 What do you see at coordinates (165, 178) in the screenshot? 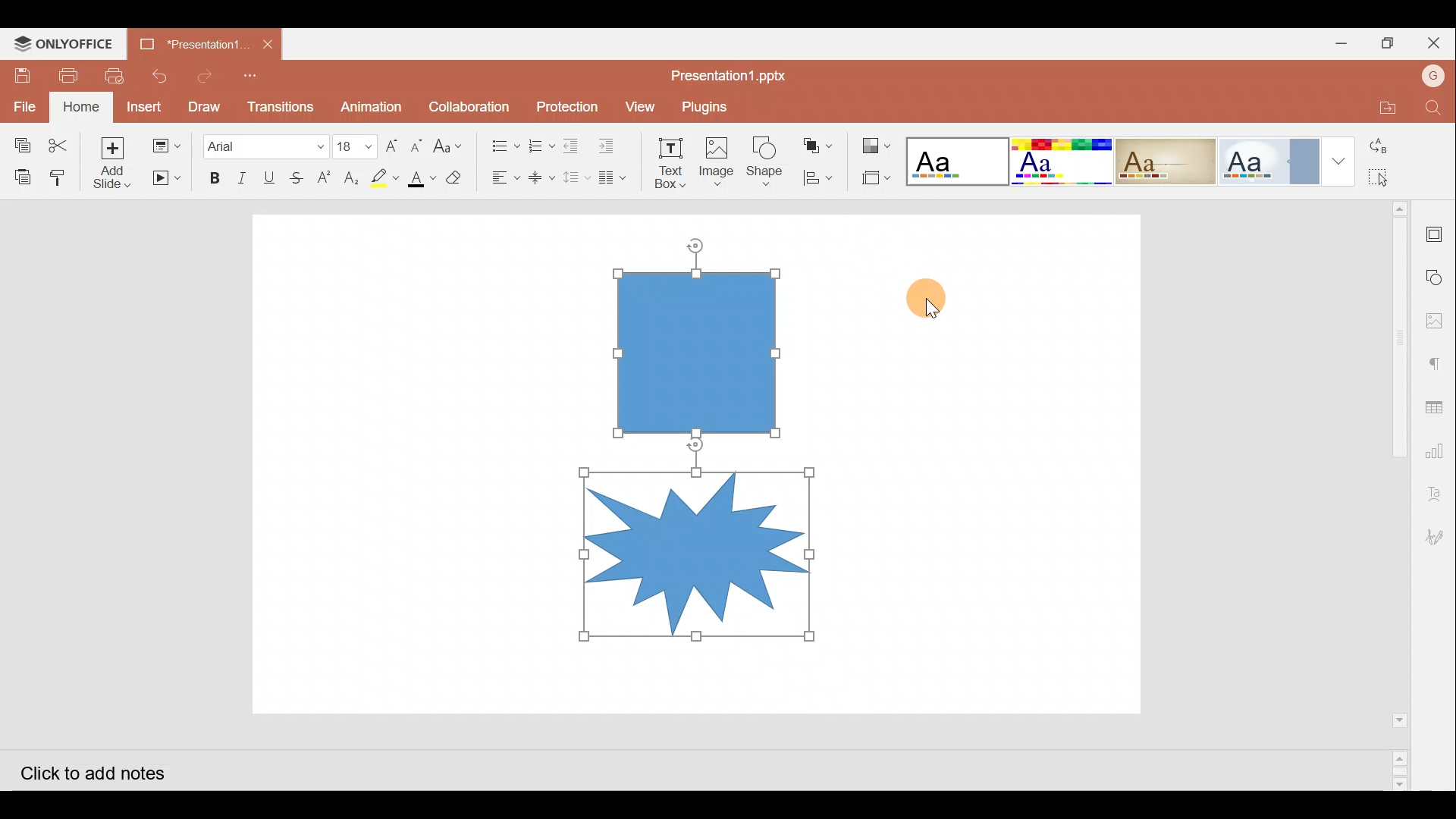
I see `Start slideshow` at bounding box center [165, 178].